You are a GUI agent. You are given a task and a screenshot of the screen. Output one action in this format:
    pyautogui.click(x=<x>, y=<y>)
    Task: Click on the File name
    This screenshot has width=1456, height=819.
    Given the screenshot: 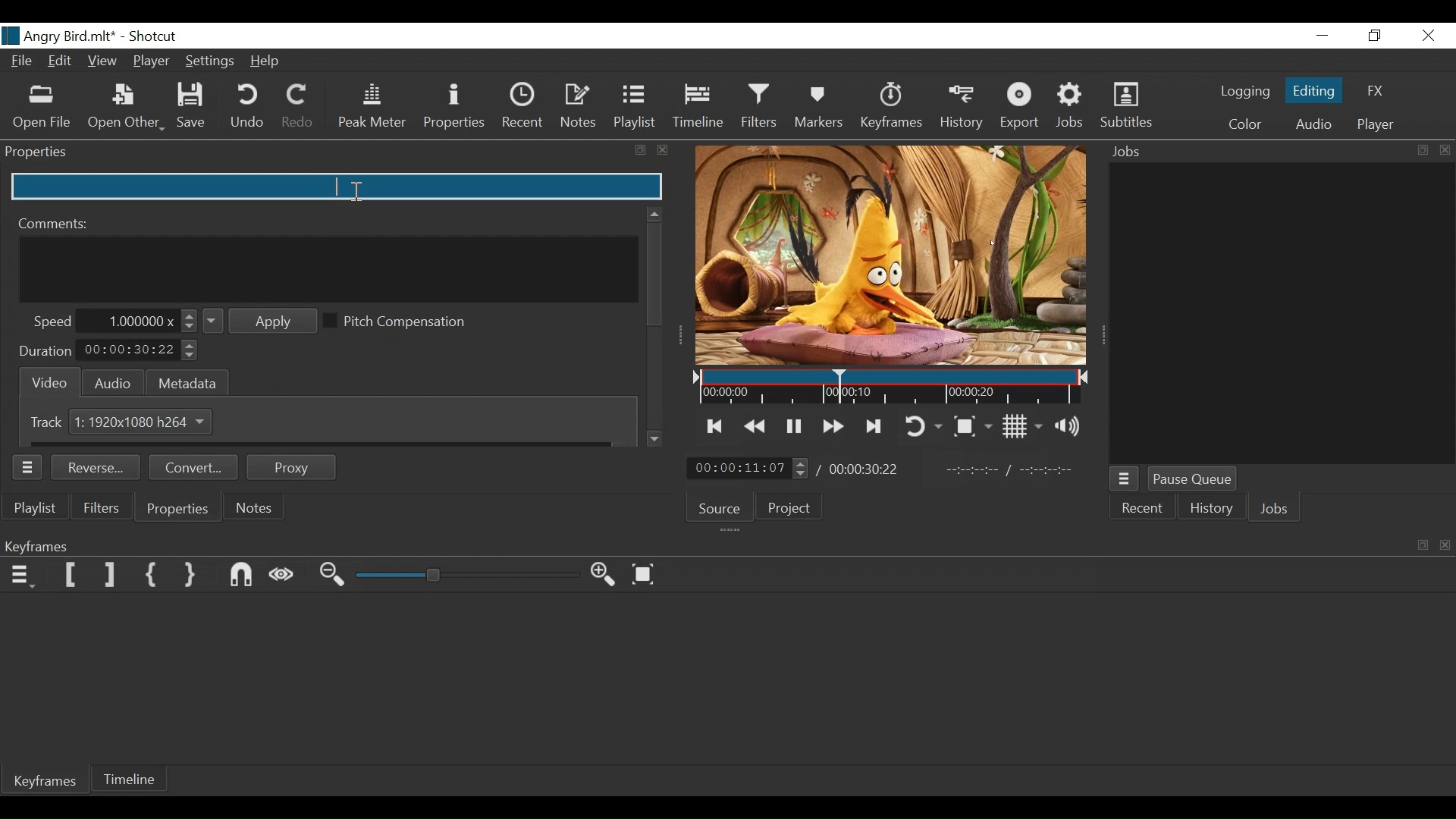 What is the action you would take?
    pyautogui.click(x=58, y=36)
    